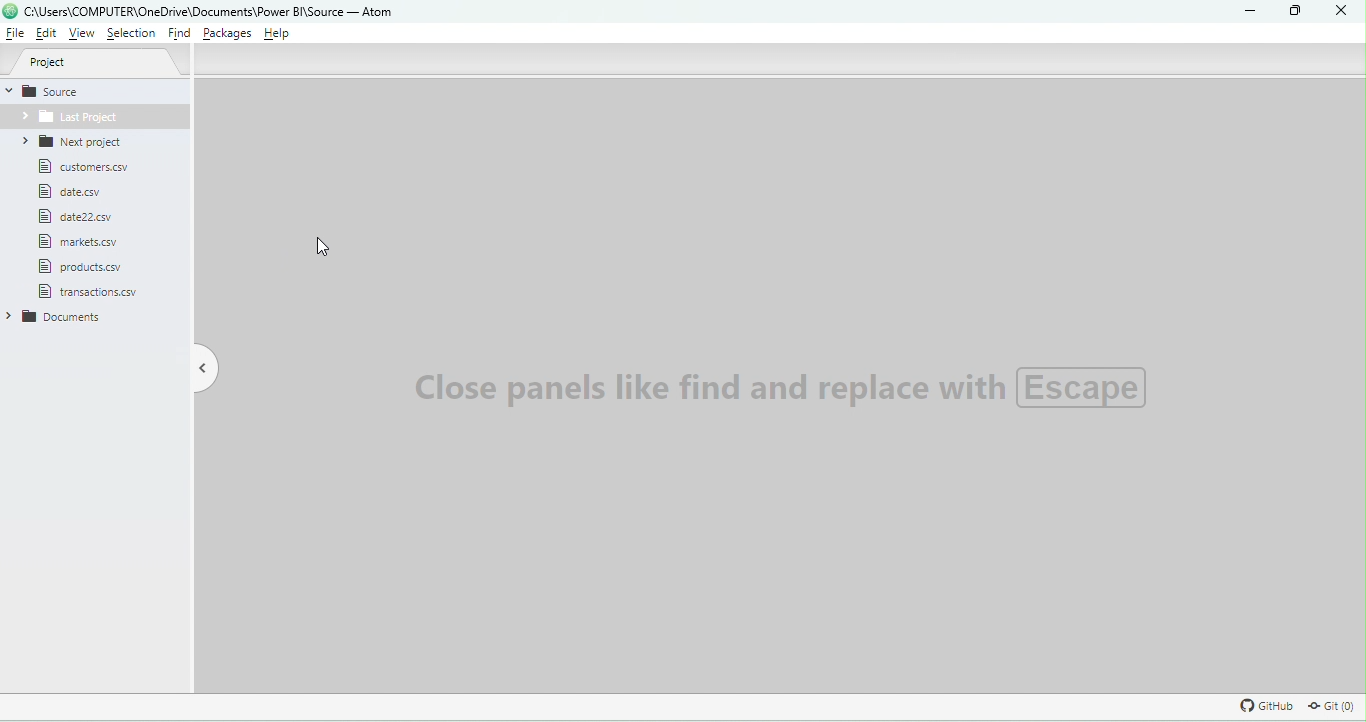 The width and height of the screenshot is (1366, 722). I want to click on Watermark, so click(819, 390).